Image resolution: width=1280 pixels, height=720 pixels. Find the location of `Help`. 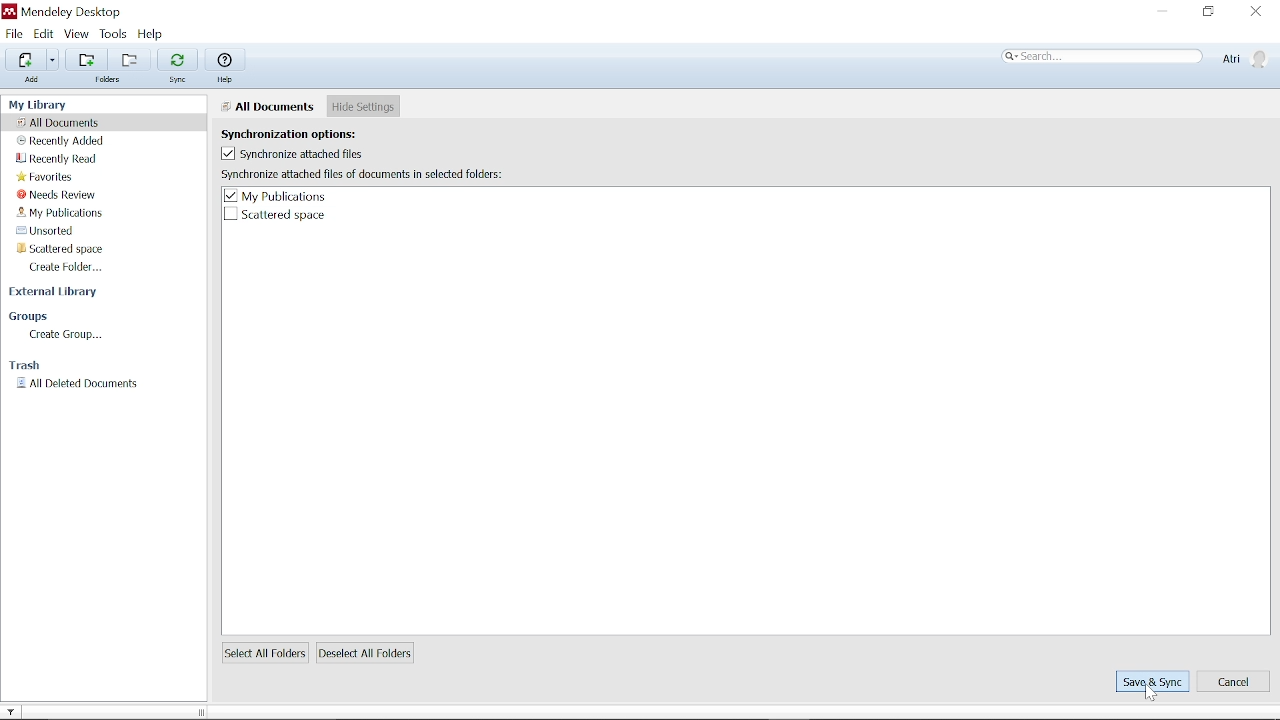

Help is located at coordinates (158, 35).